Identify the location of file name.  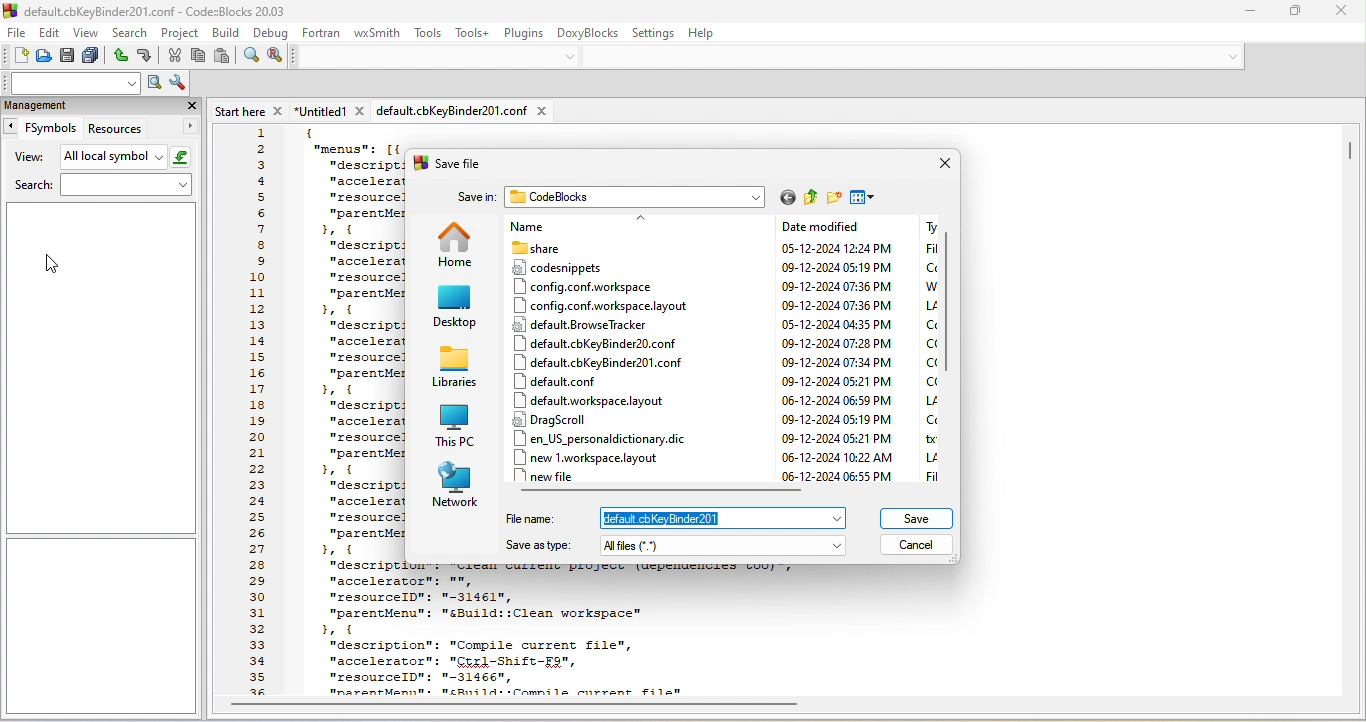
(729, 518).